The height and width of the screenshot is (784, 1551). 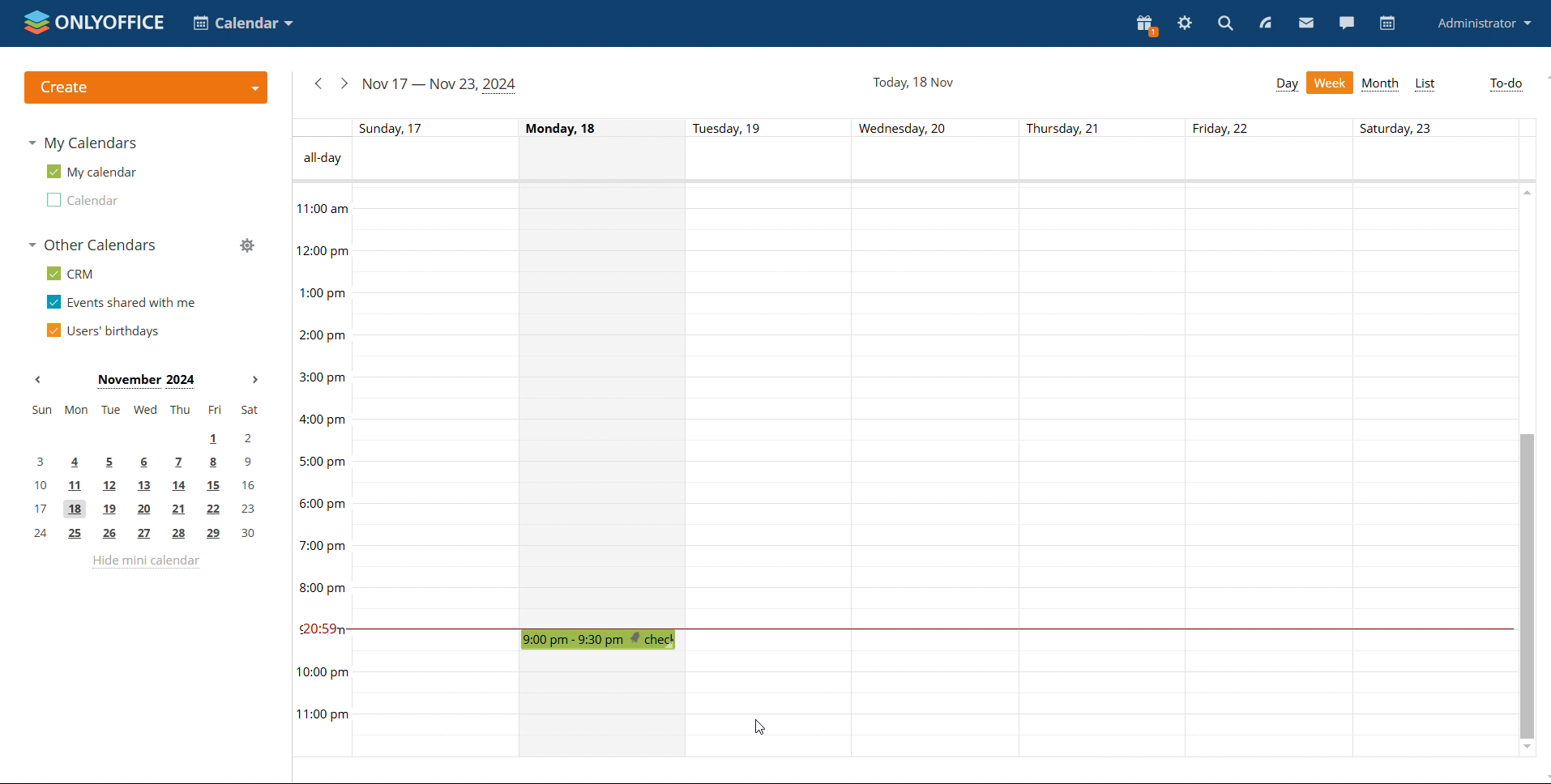 I want to click on next week, so click(x=344, y=83).